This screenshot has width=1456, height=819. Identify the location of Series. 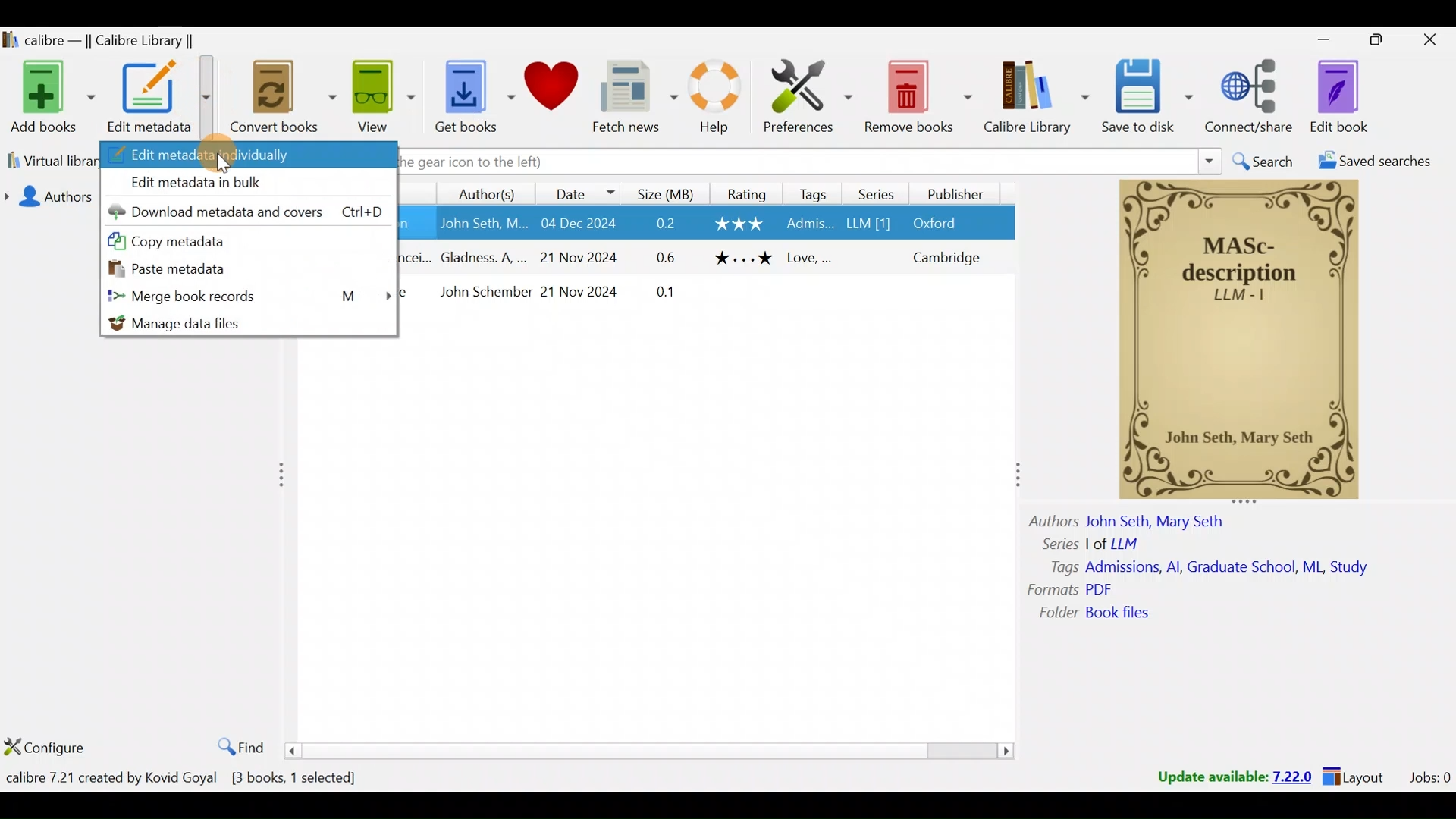
(881, 193).